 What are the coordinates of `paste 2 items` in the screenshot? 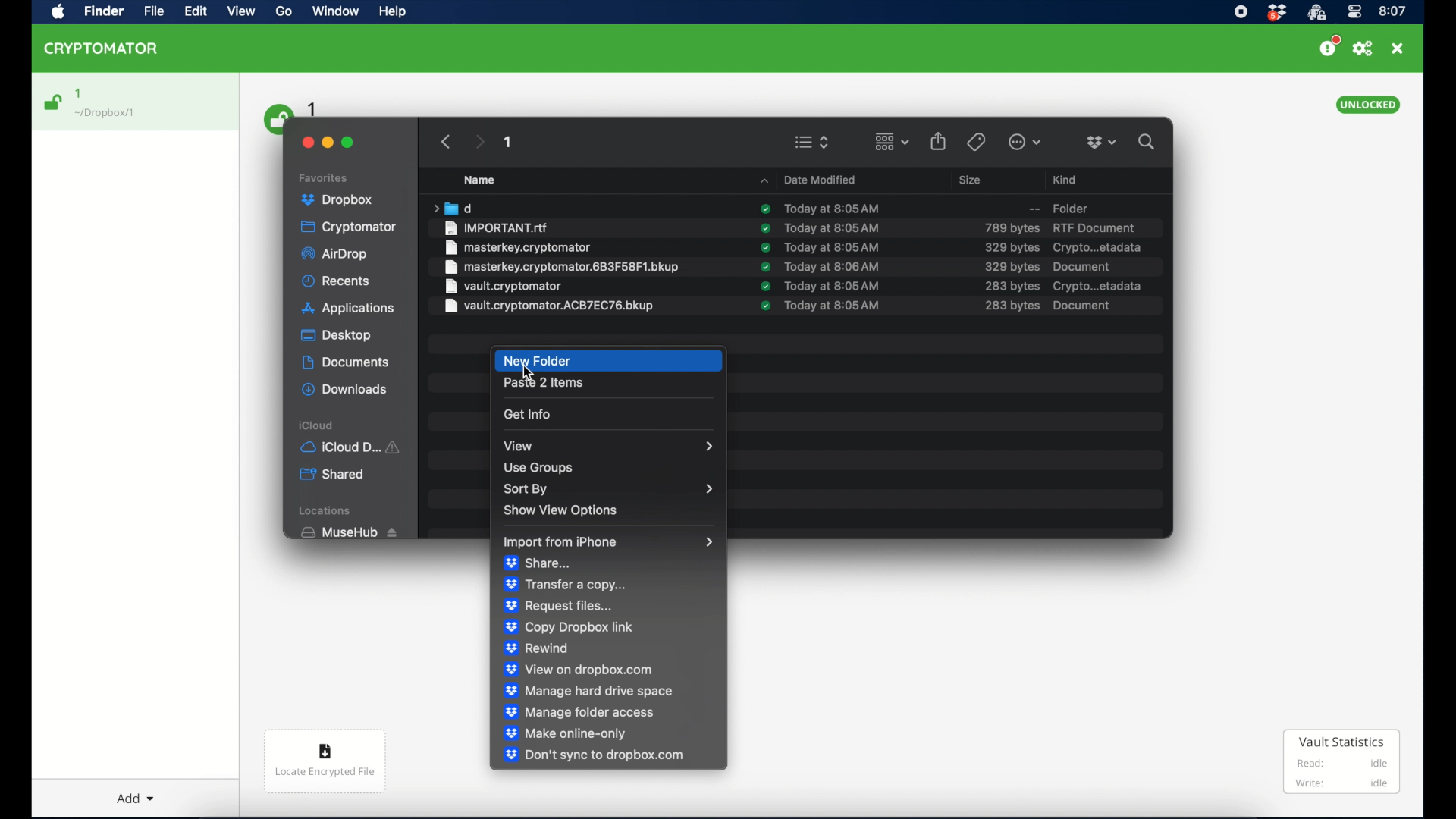 It's located at (544, 384).